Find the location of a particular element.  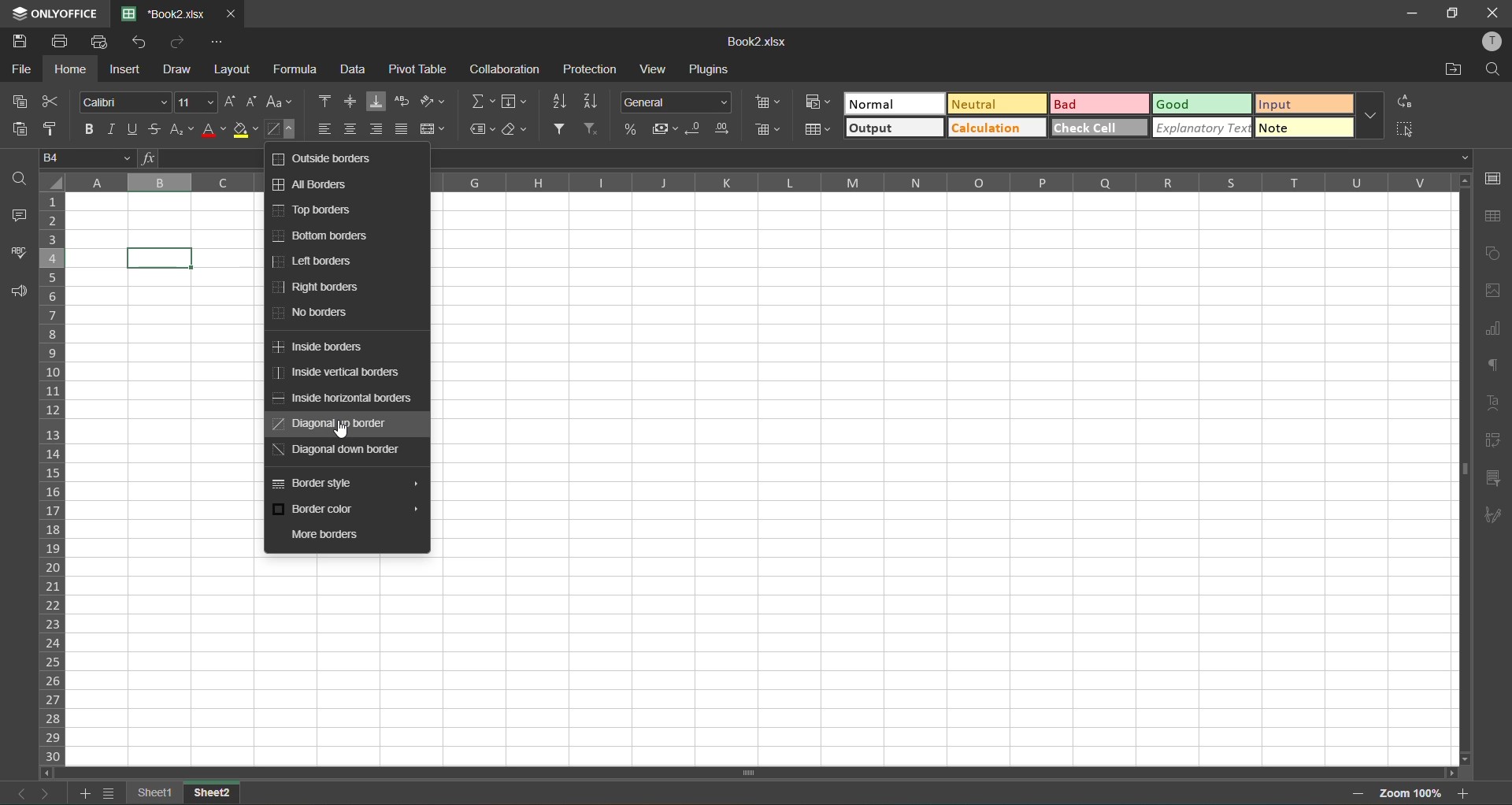

zoom in is located at coordinates (1463, 793).